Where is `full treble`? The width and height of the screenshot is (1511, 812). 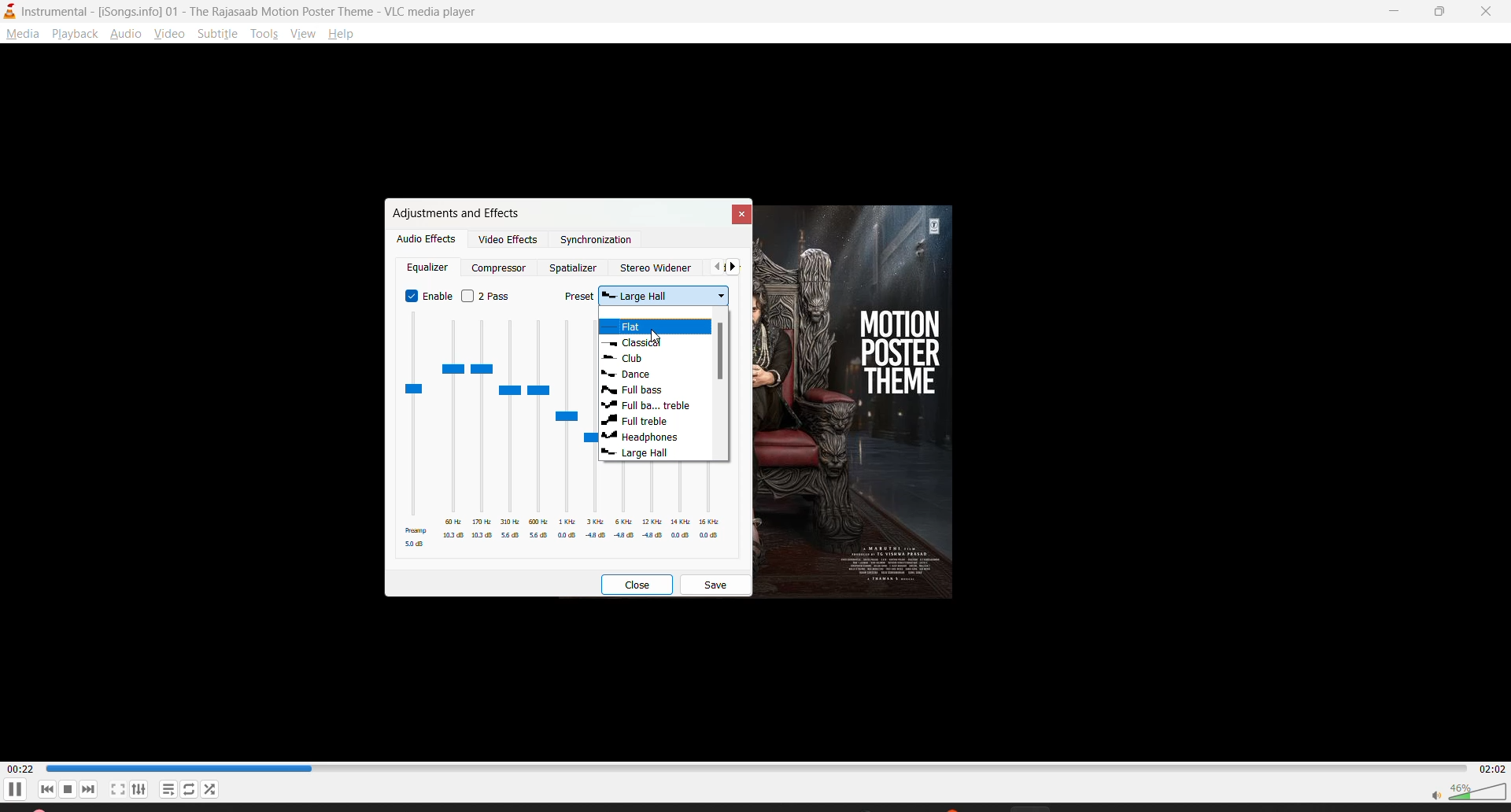 full treble is located at coordinates (651, 405).